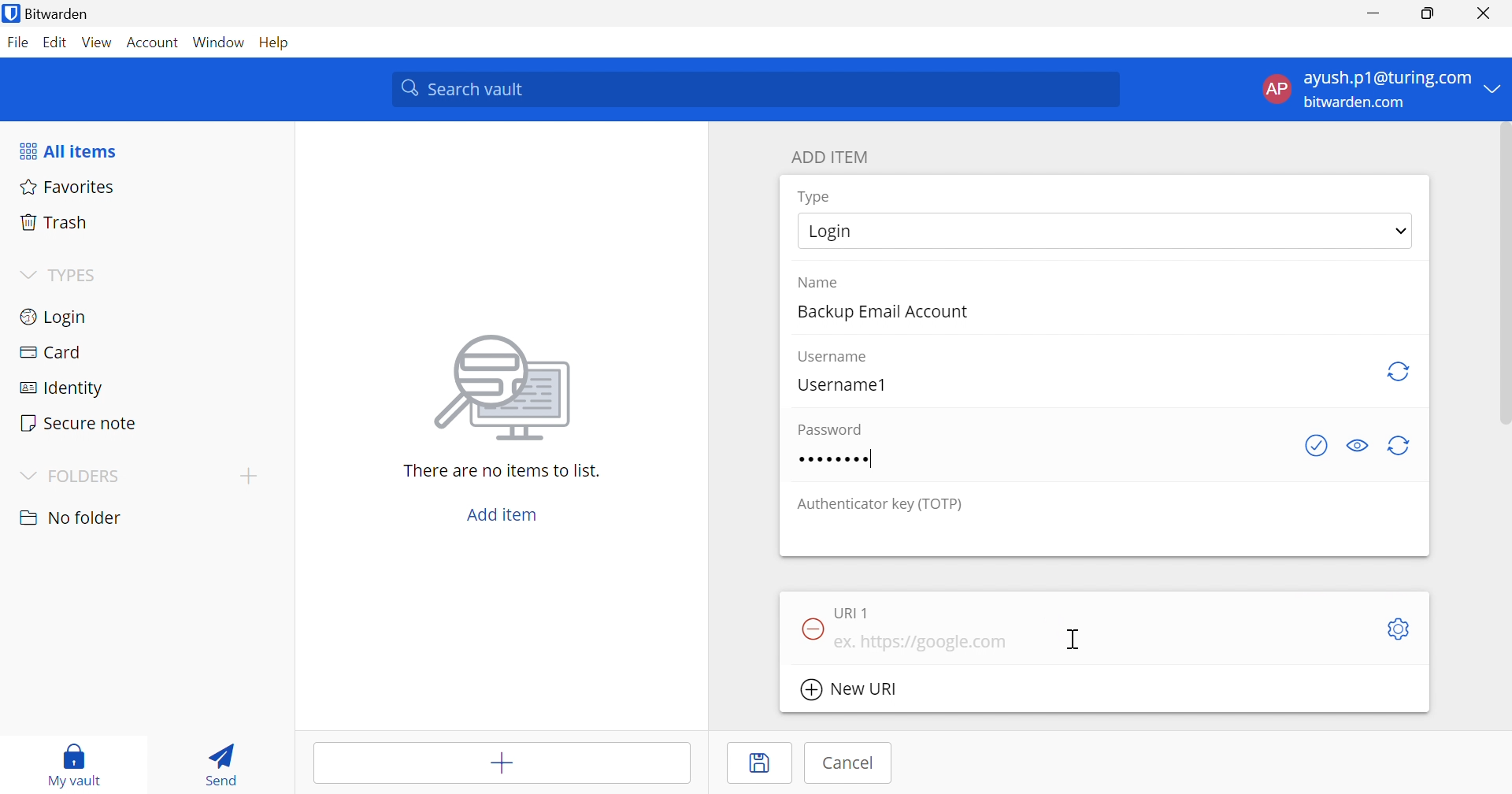 This screenshot has height=794, width=1512. Describe the element at coordinates (218, 40) in the screenshot. I see `Window` at that location.